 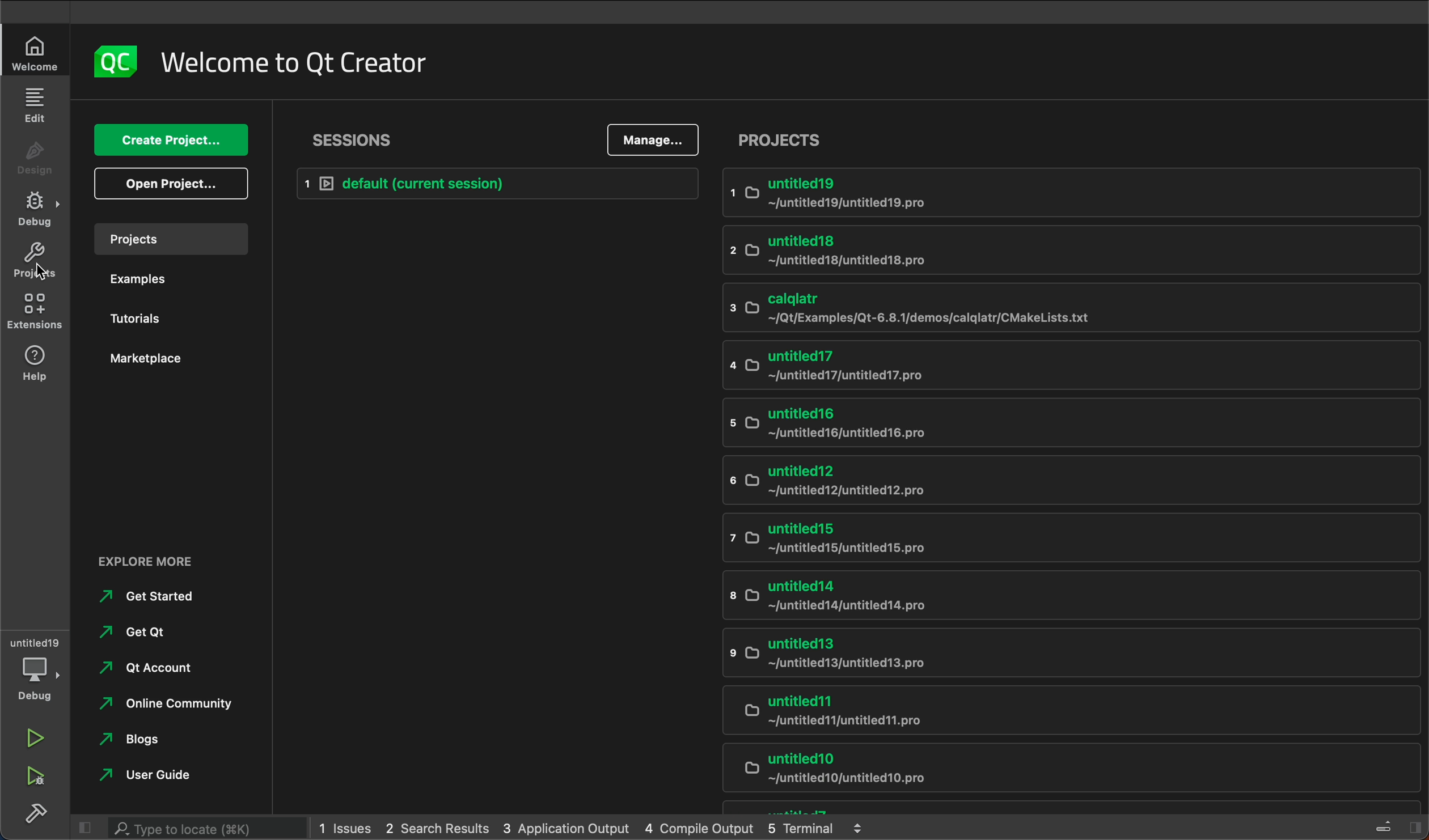 What do you see at coordinates (1066, 481) in the screenshot?
I see `untitled12` at bounding box center [1066, 481].